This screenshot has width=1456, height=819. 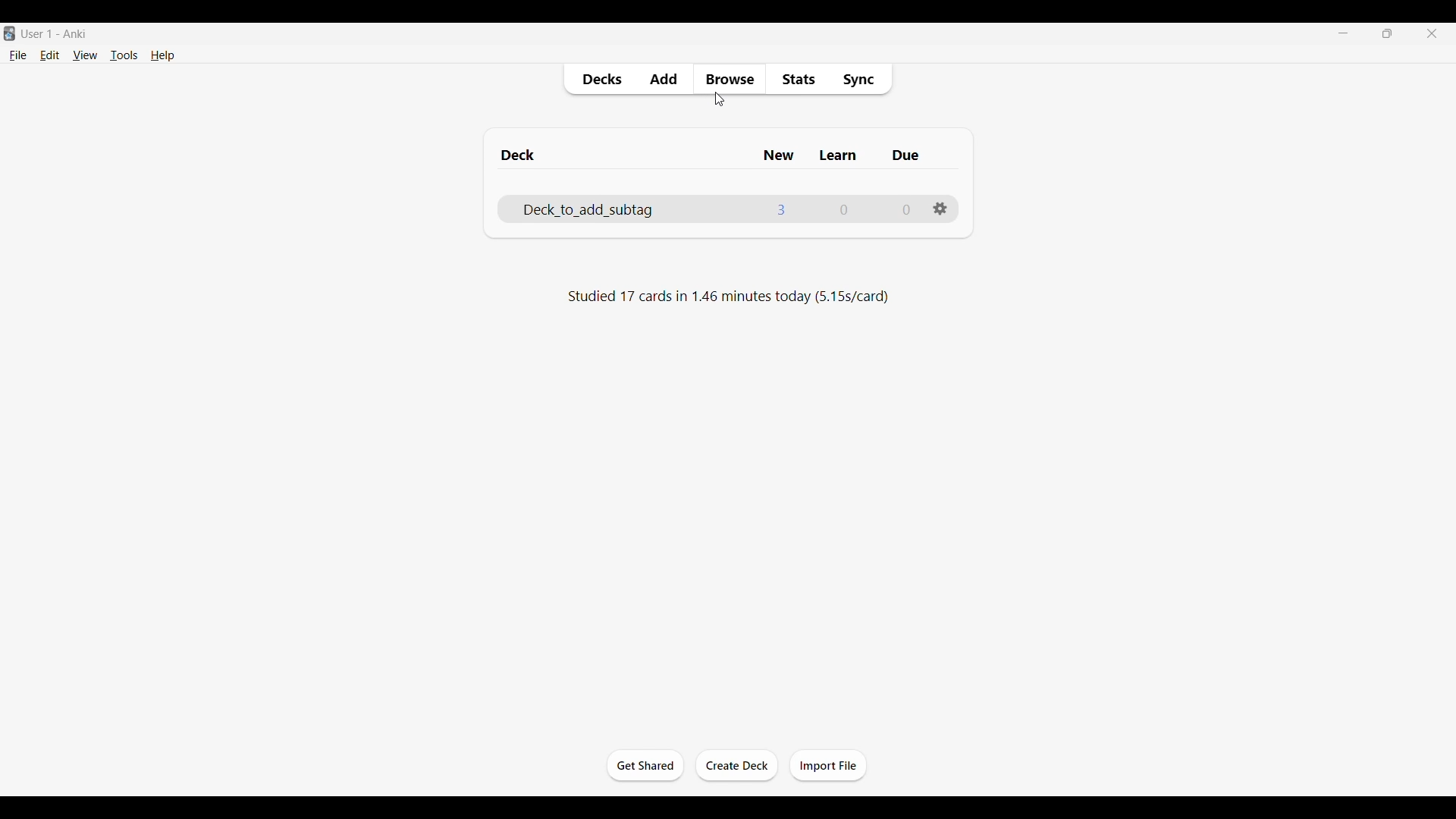 I want to click on Close interface, so click(x=1432, y=33).